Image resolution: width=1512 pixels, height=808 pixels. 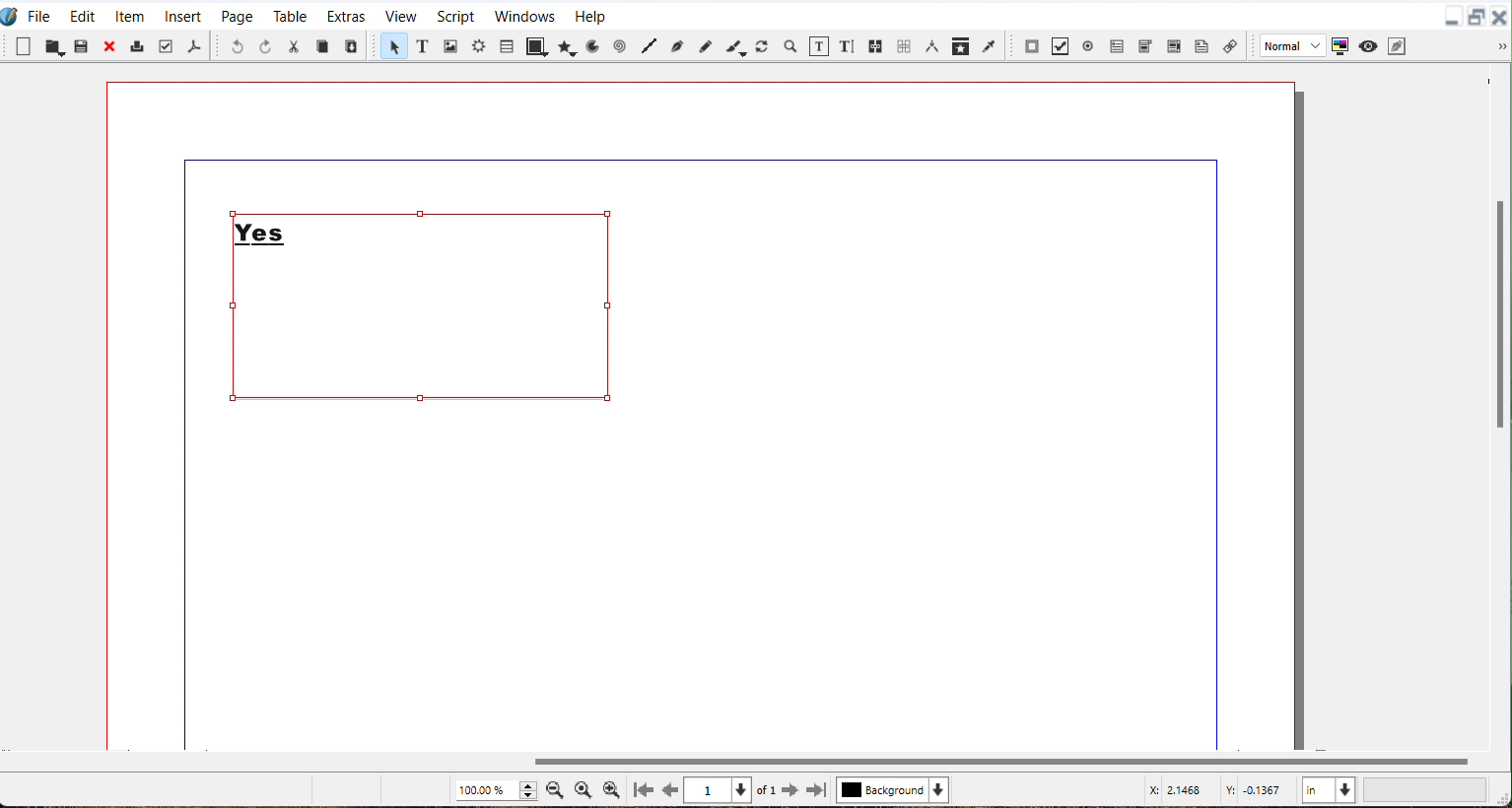 What do you see at coordinates (606, 306) in the screenshot?
I see `Text Frame` at bounding box center [606, 306].